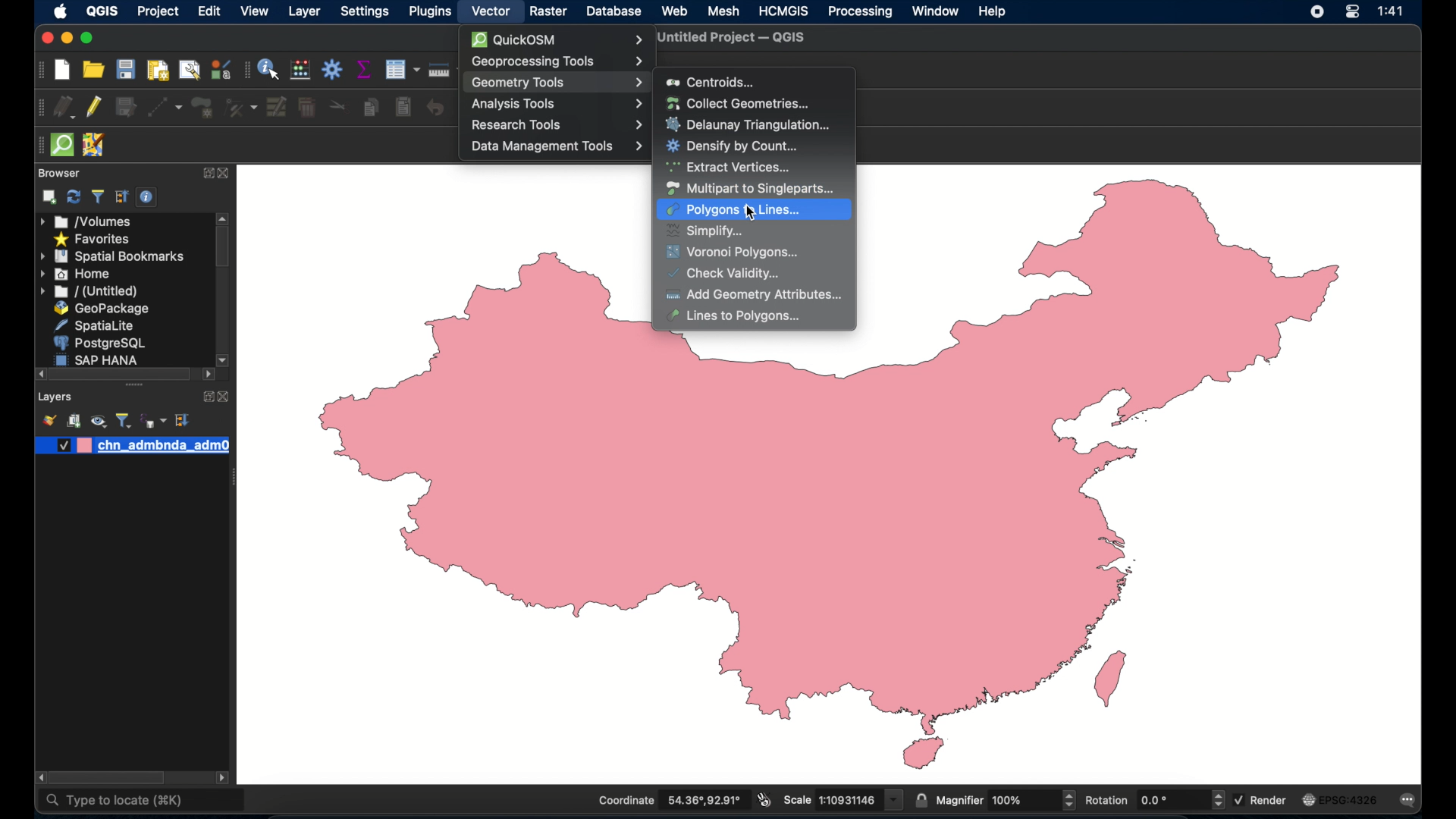 The image size is (1456, 819). I want to click on settings, so click(366, 13).